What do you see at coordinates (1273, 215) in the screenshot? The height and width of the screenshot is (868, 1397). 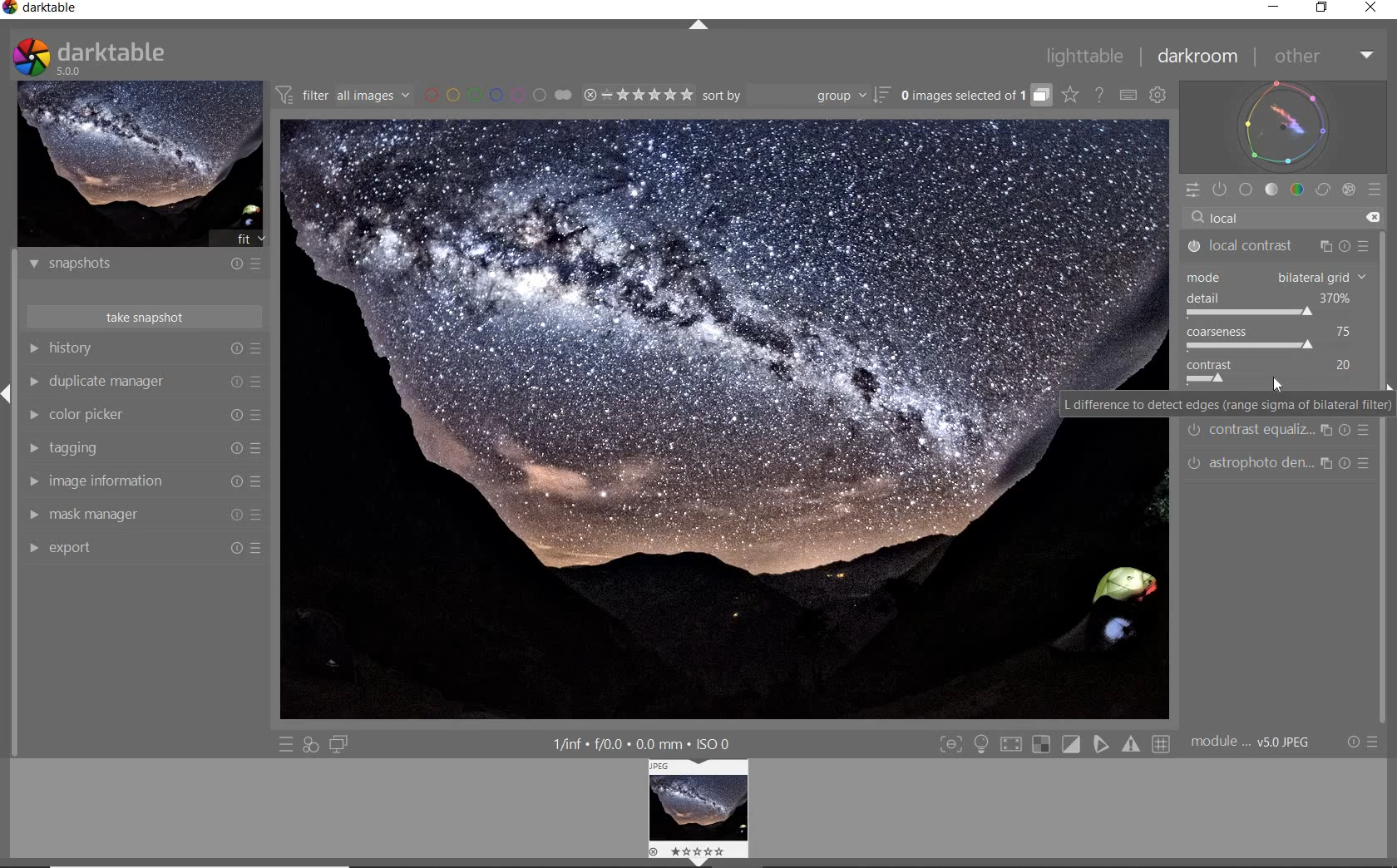 I see `Local` at bounding box center [1273, 215].